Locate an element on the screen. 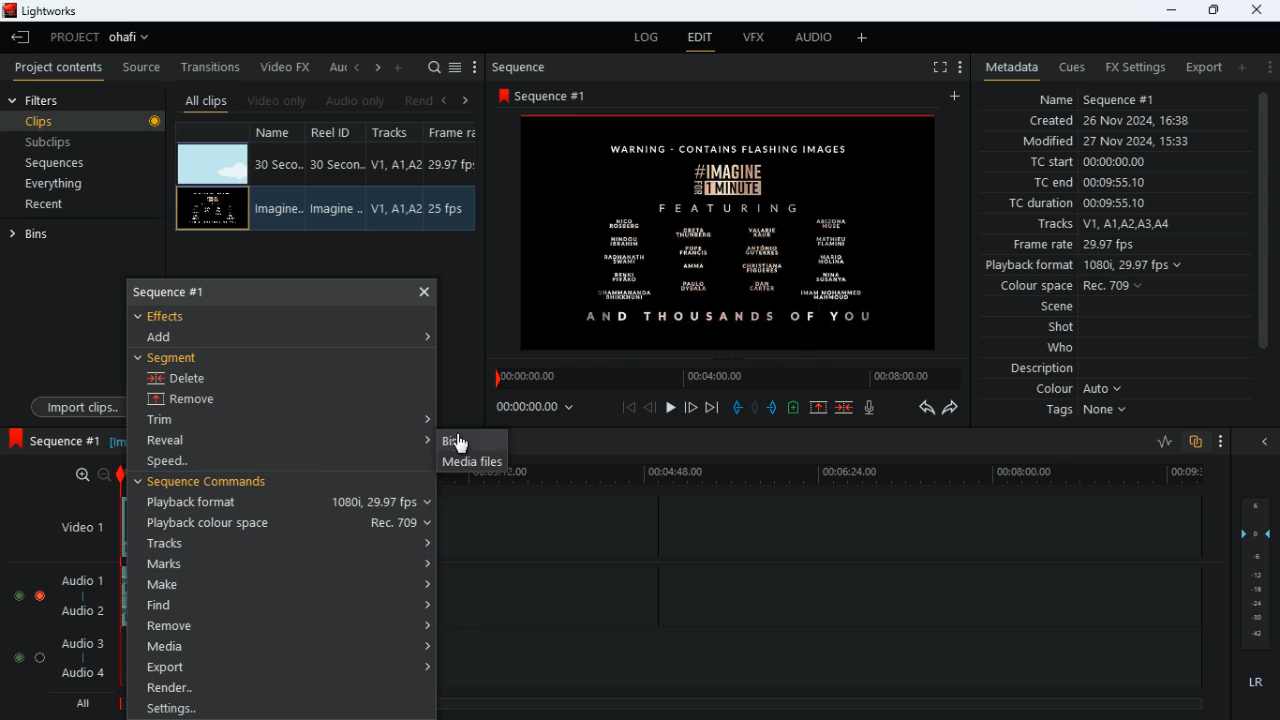 The width and height of the screenshot is (1280, 720). layers is located at coordinates (1260, 575).